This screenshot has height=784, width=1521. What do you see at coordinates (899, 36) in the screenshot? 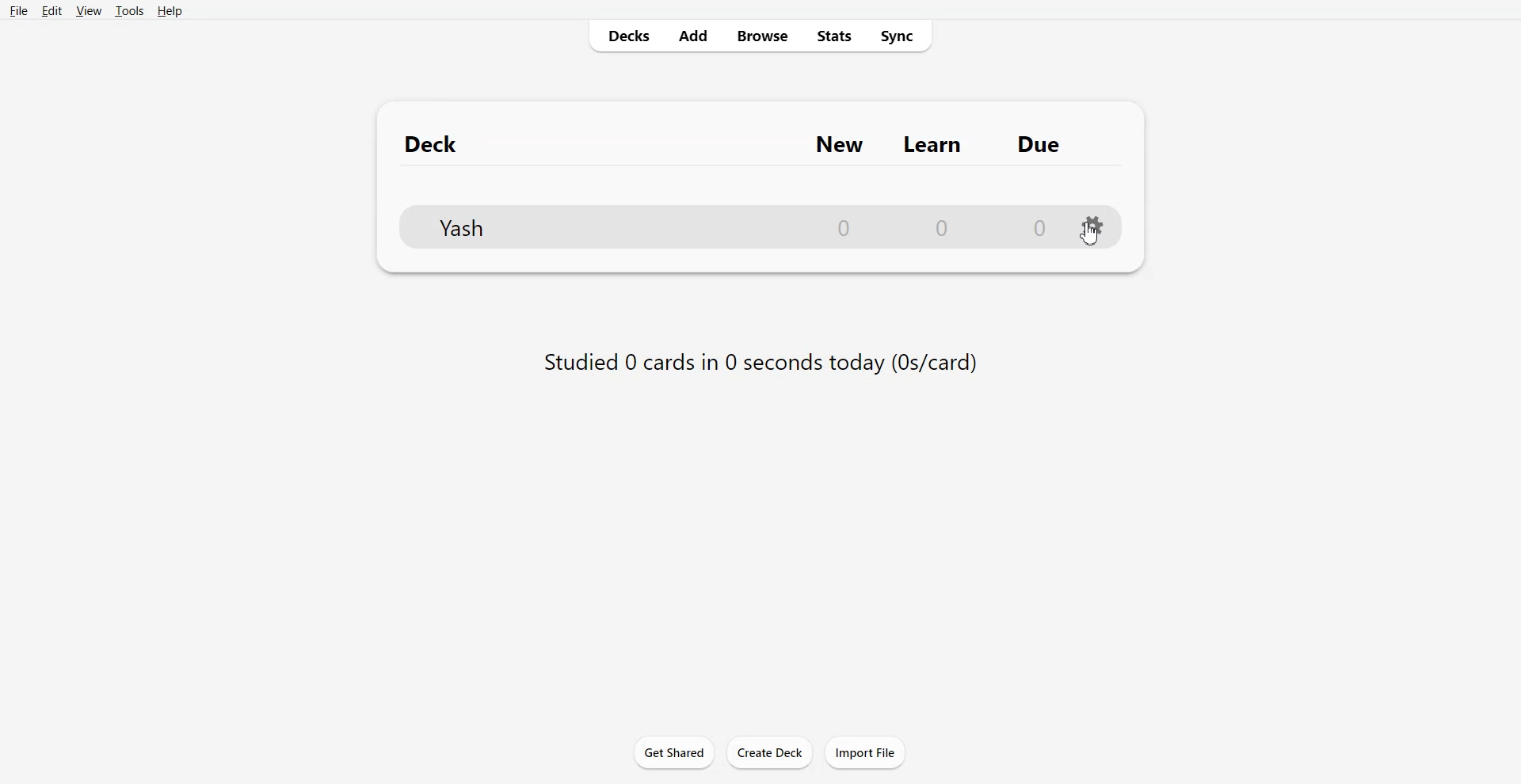
I see `Sync` at bounding box center [899, 36].